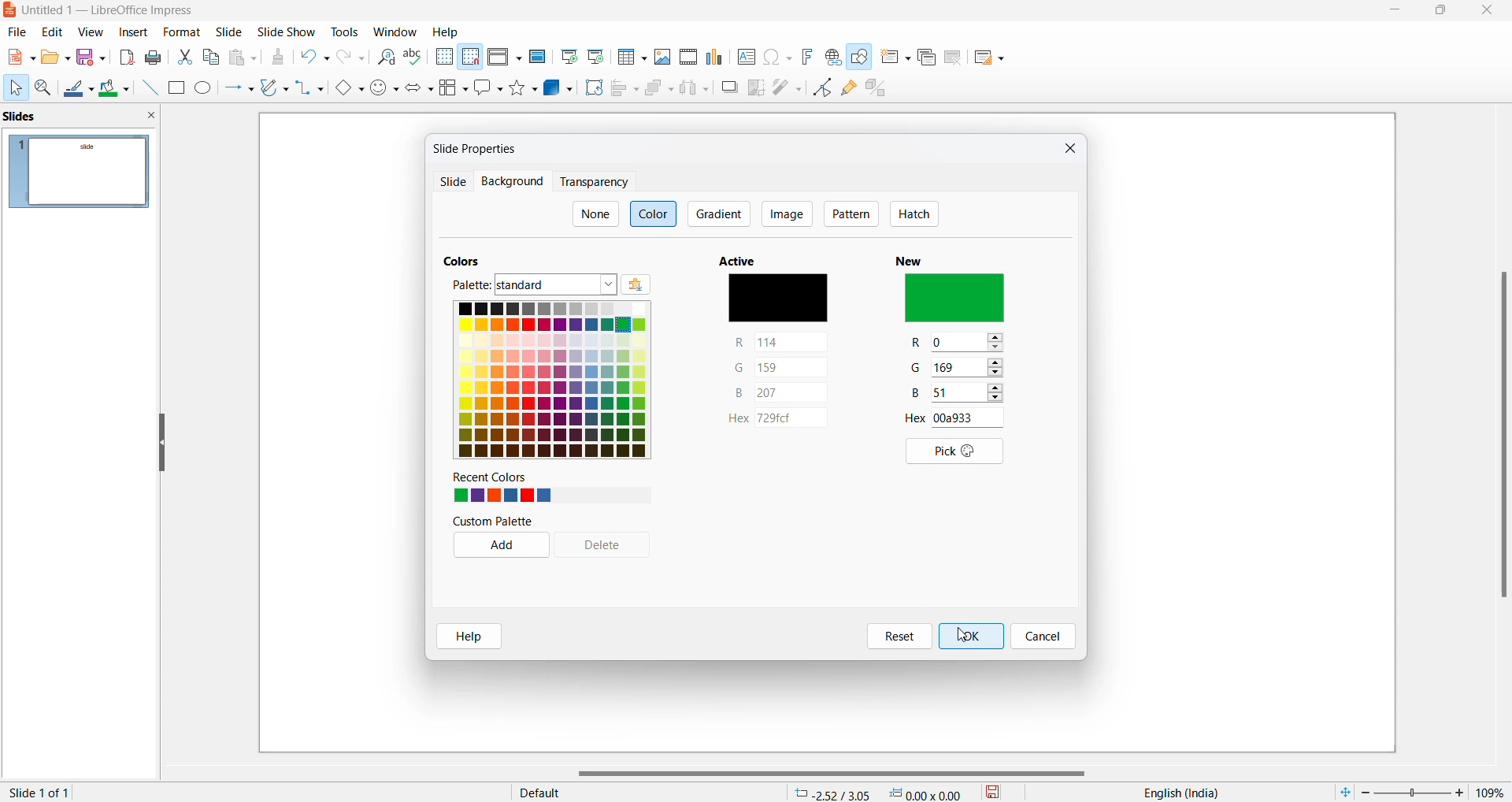 The height and width of the screenshot is (802, 1512). Describe the element at coordinates (917, 418) in the screenshot. I see `hex value ` at that location.